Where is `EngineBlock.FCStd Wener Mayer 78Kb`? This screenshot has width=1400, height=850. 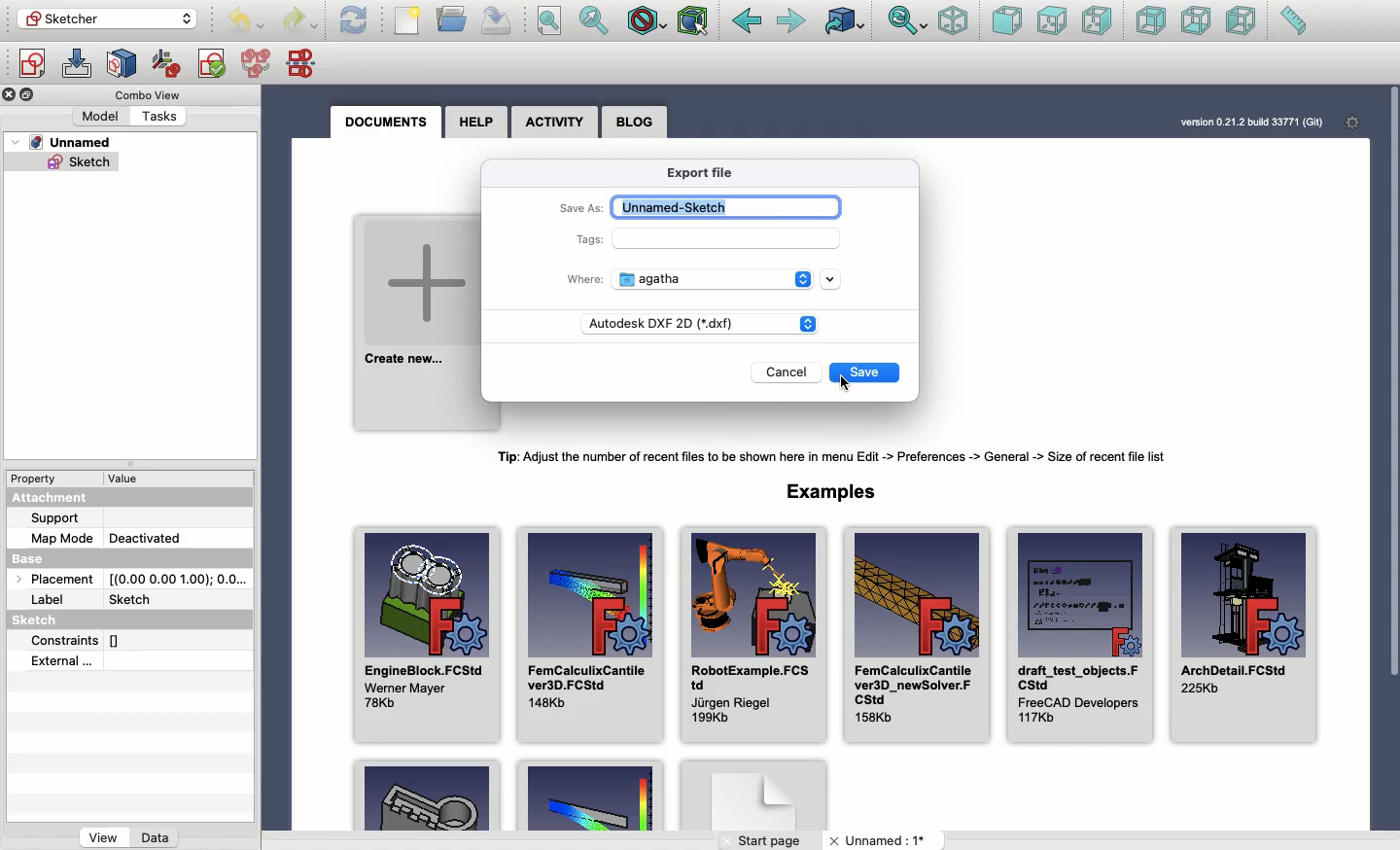
EngineBlock.FCStd Wener Mayer 78Kb is located at coordinates (429, 635).